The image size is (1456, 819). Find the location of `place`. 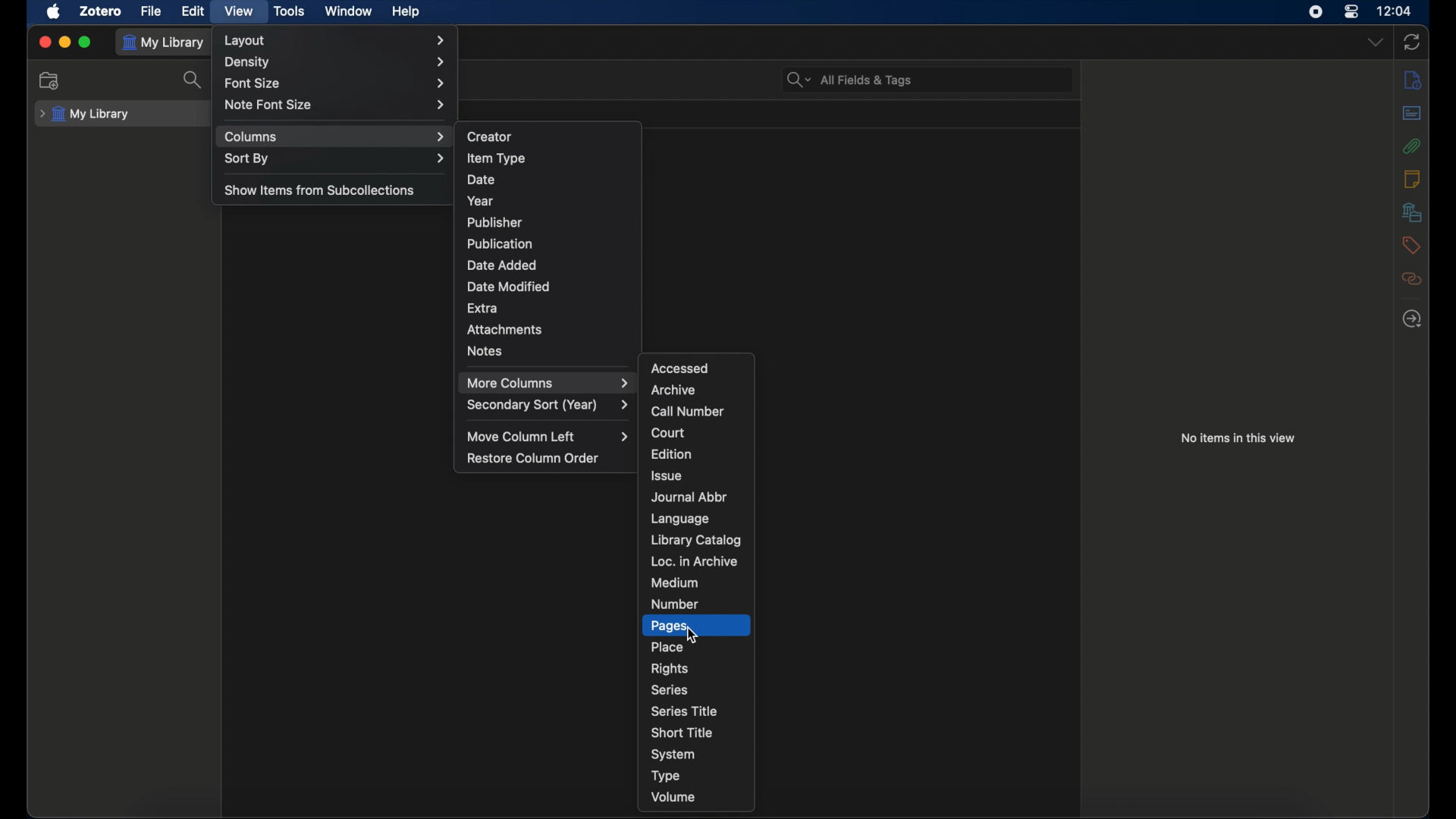

place is located at coordinates (668, 647).